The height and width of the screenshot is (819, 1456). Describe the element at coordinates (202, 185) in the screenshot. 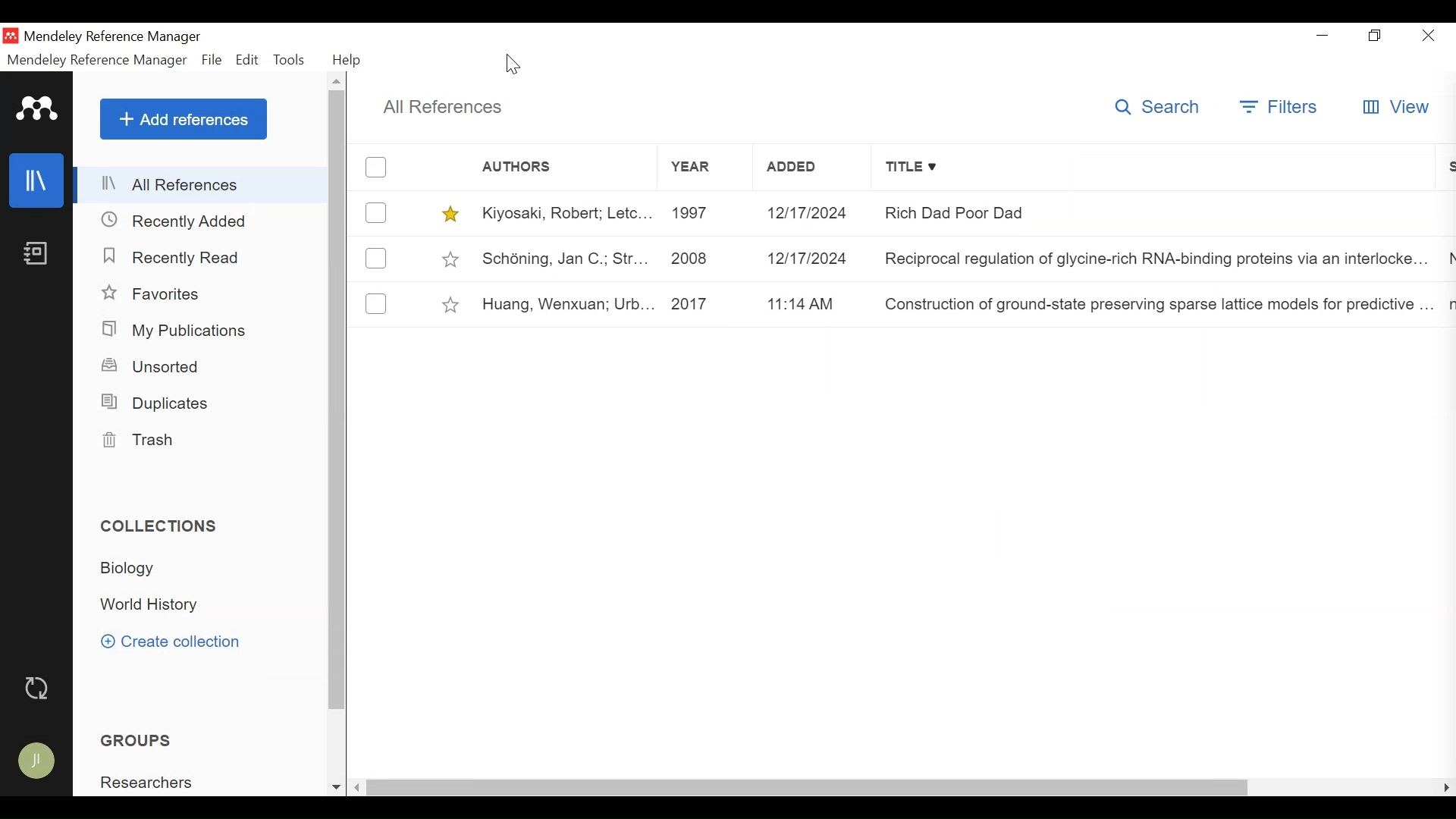

I see `All References` at that location.